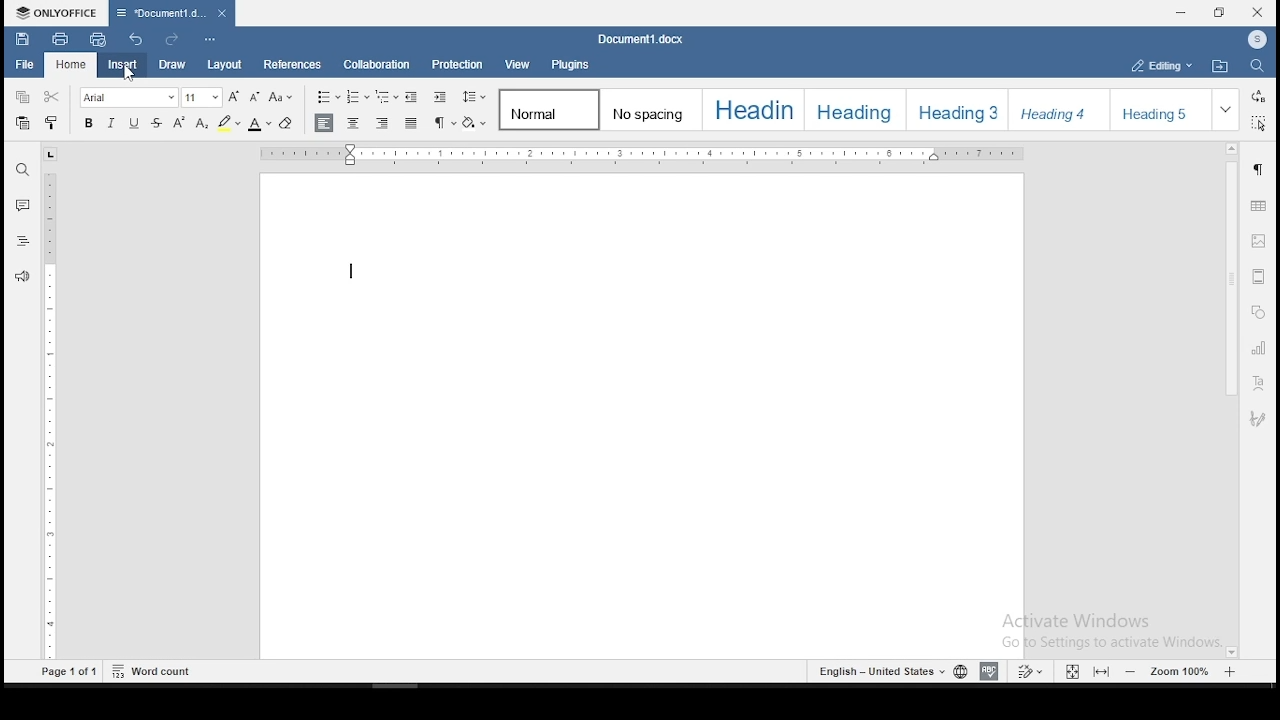  What do you see at coordinates (67, 674) in the screenshot?
I see `Page 1 of 1` at bounding box center [67, 674].